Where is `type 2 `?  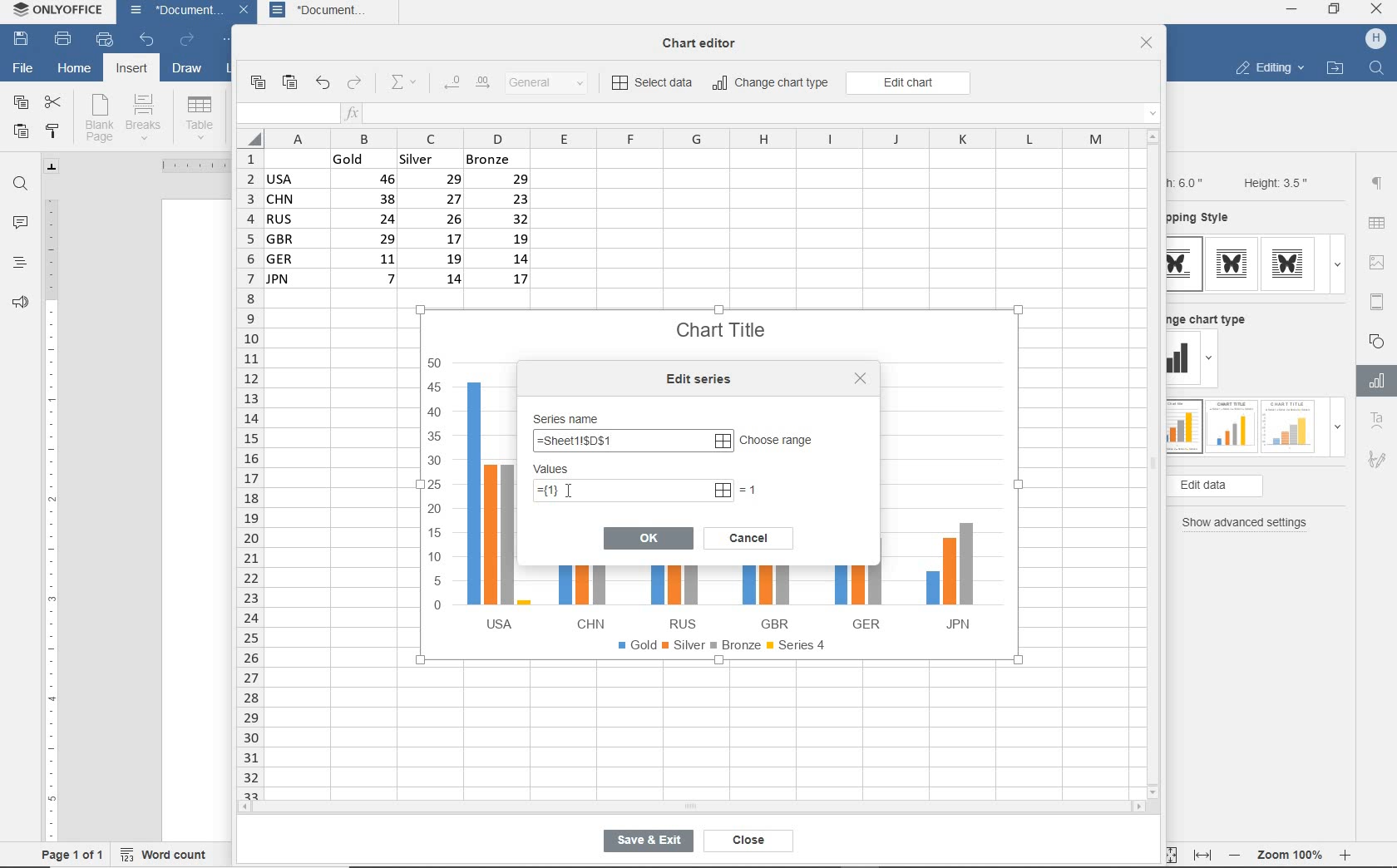 type 2  is located at coordinates (1229, 425).